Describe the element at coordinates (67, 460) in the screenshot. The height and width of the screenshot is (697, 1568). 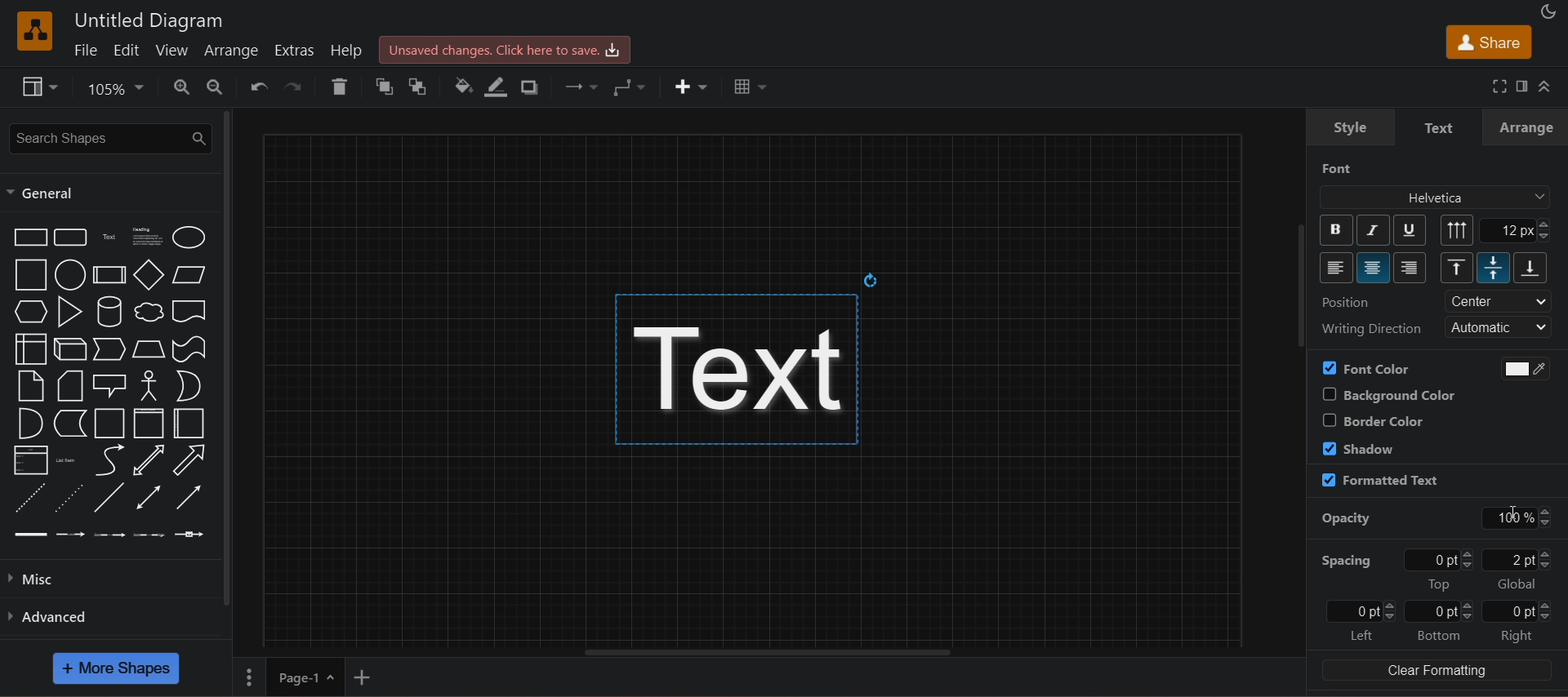
I see `list item` at that location.